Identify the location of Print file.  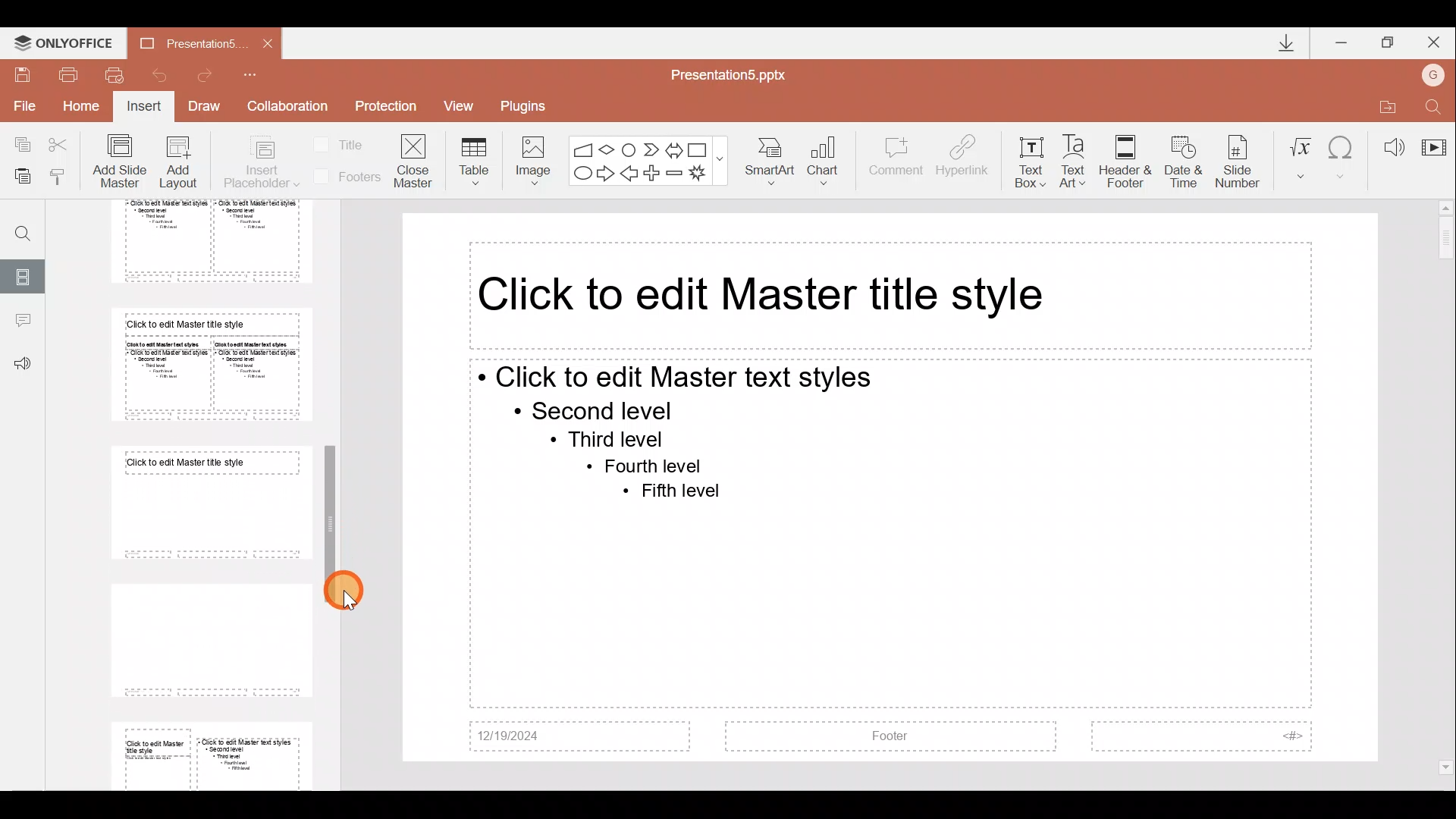
(69, 74).